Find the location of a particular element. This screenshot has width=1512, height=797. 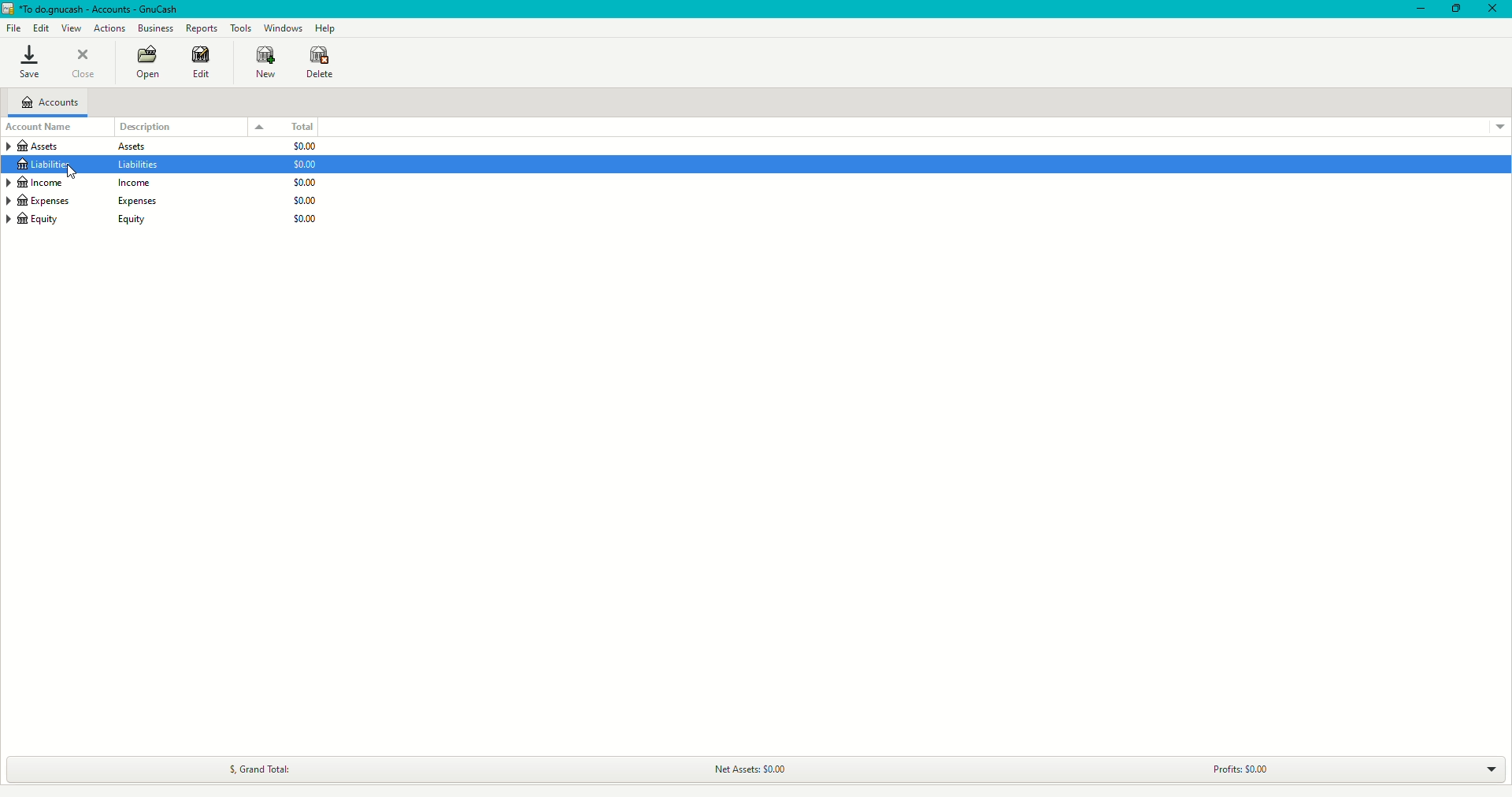

Grand Total is located at coordinates (258, 770).